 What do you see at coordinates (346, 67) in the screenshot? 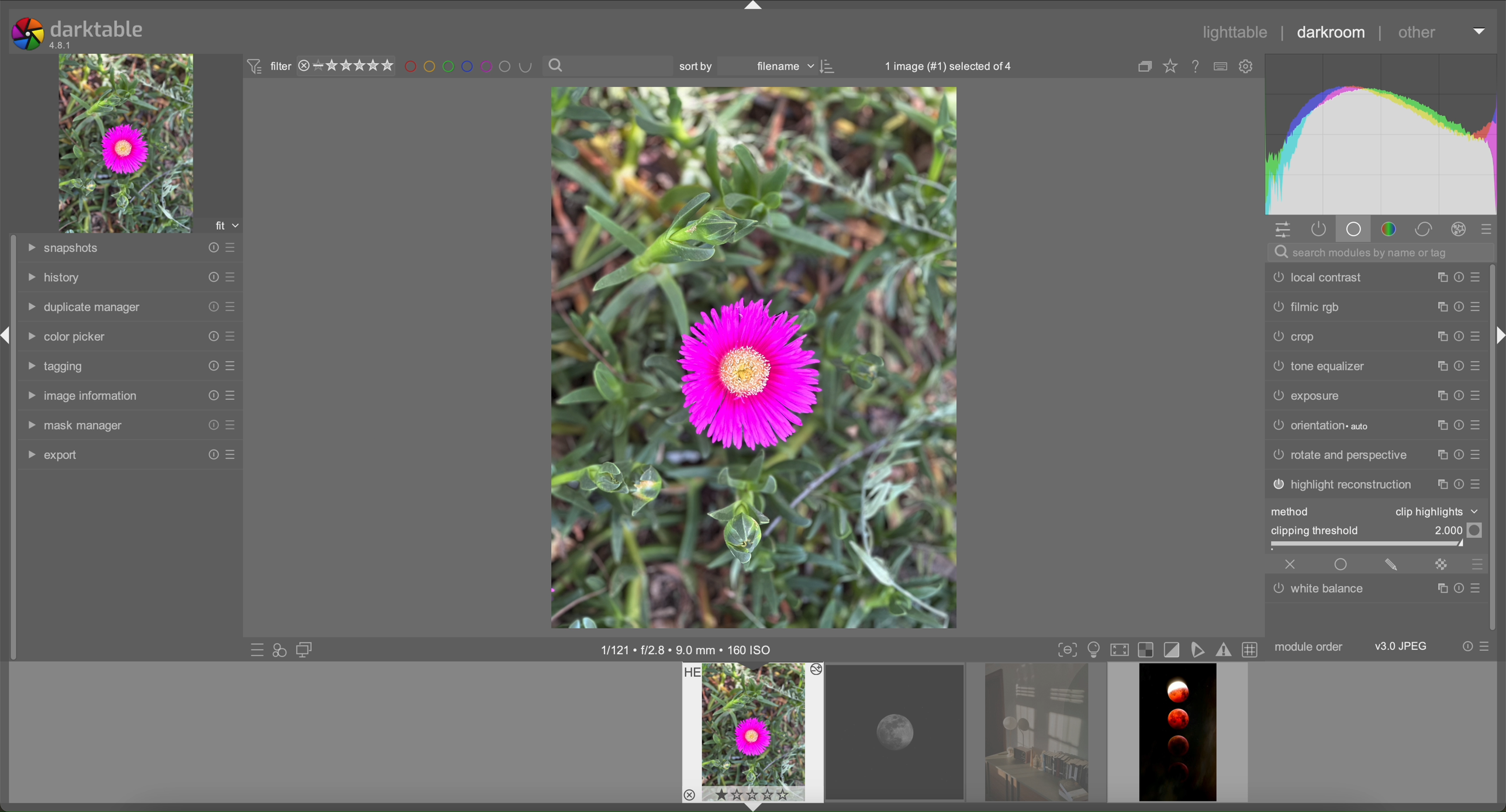
I see `rating` at bounding box center [346, 67].